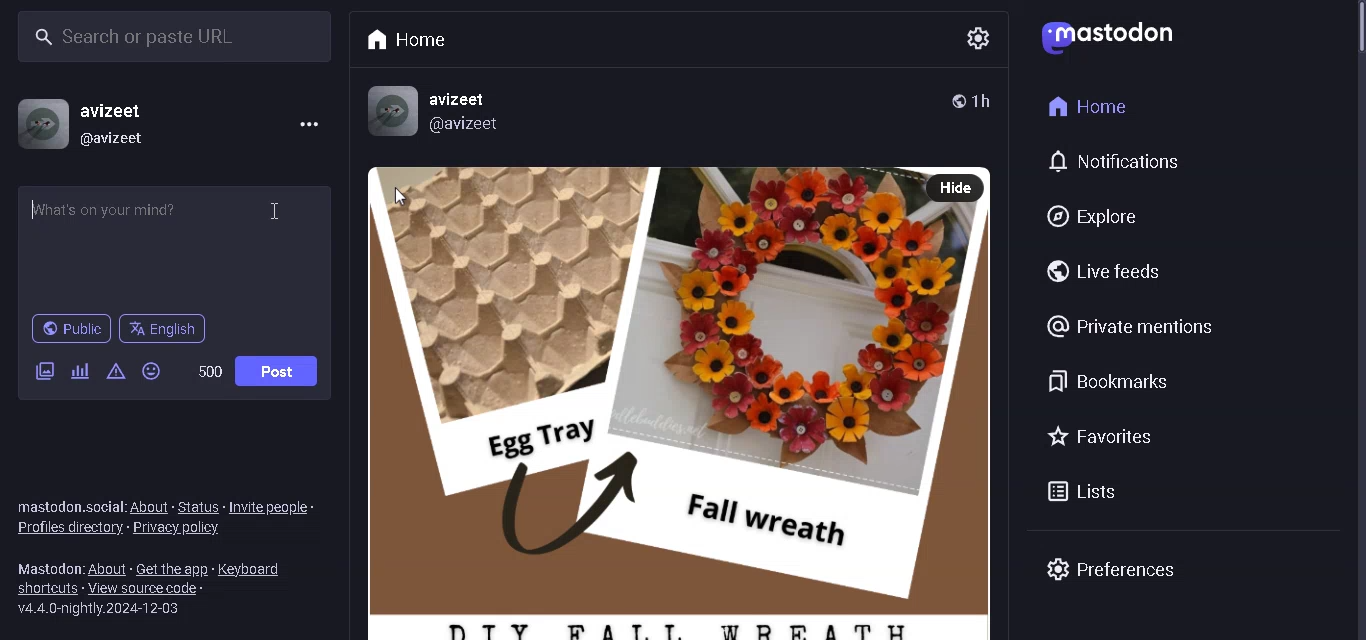  I want to click on typing cursor, so click(277, 215).